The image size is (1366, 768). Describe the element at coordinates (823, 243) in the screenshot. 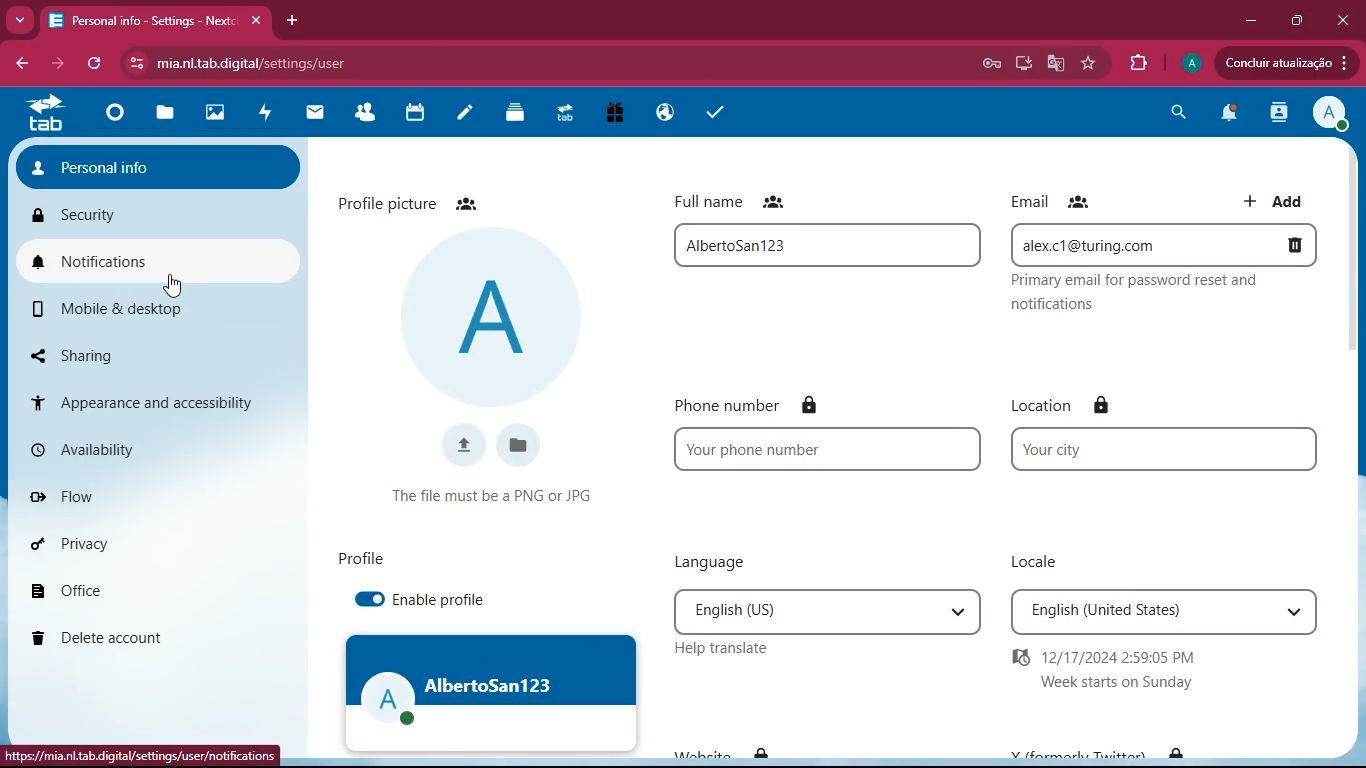

I see `AlbertoSan123` at that location.